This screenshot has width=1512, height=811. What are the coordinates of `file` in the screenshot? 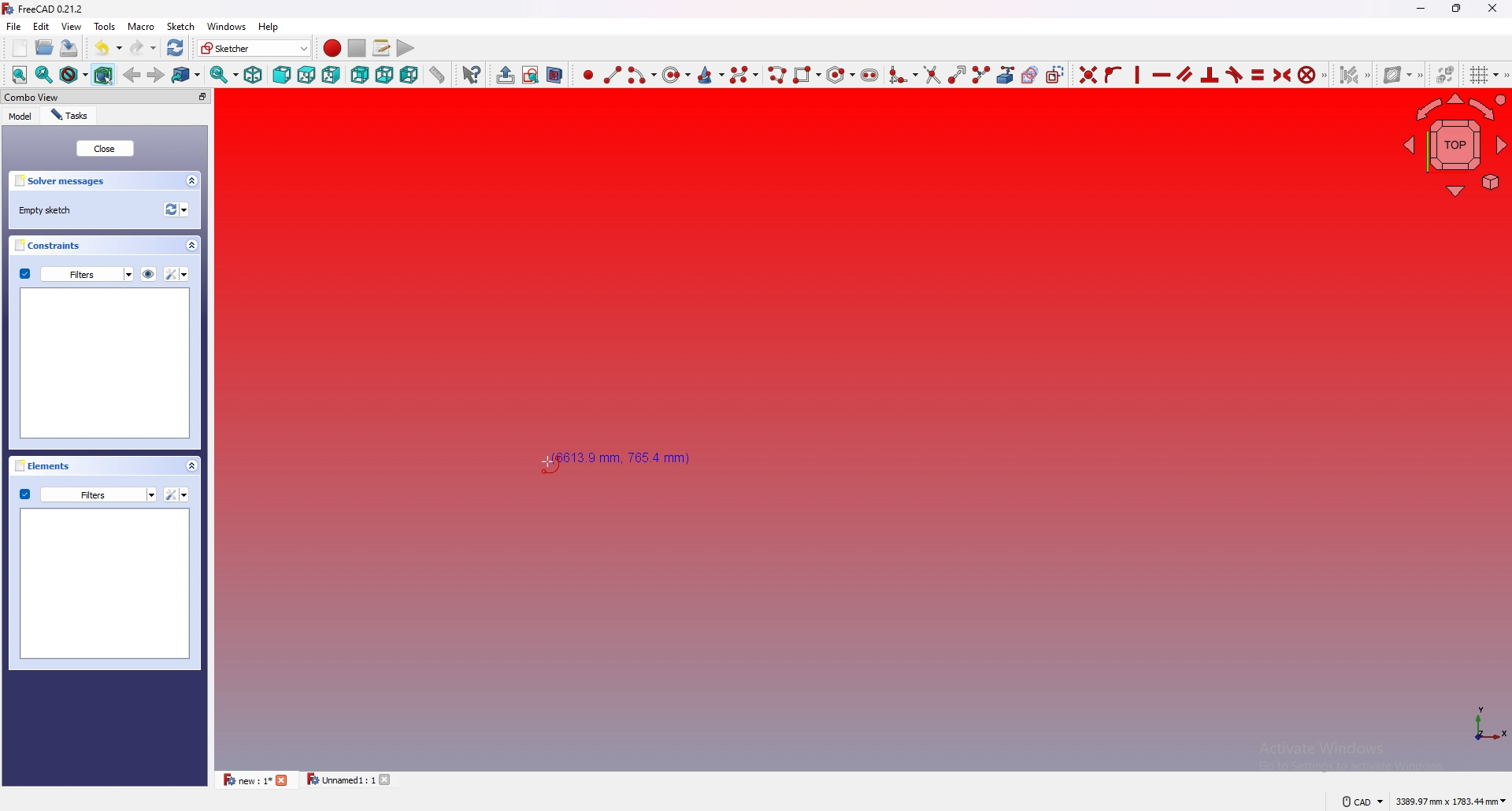 It's located at (14, 26).